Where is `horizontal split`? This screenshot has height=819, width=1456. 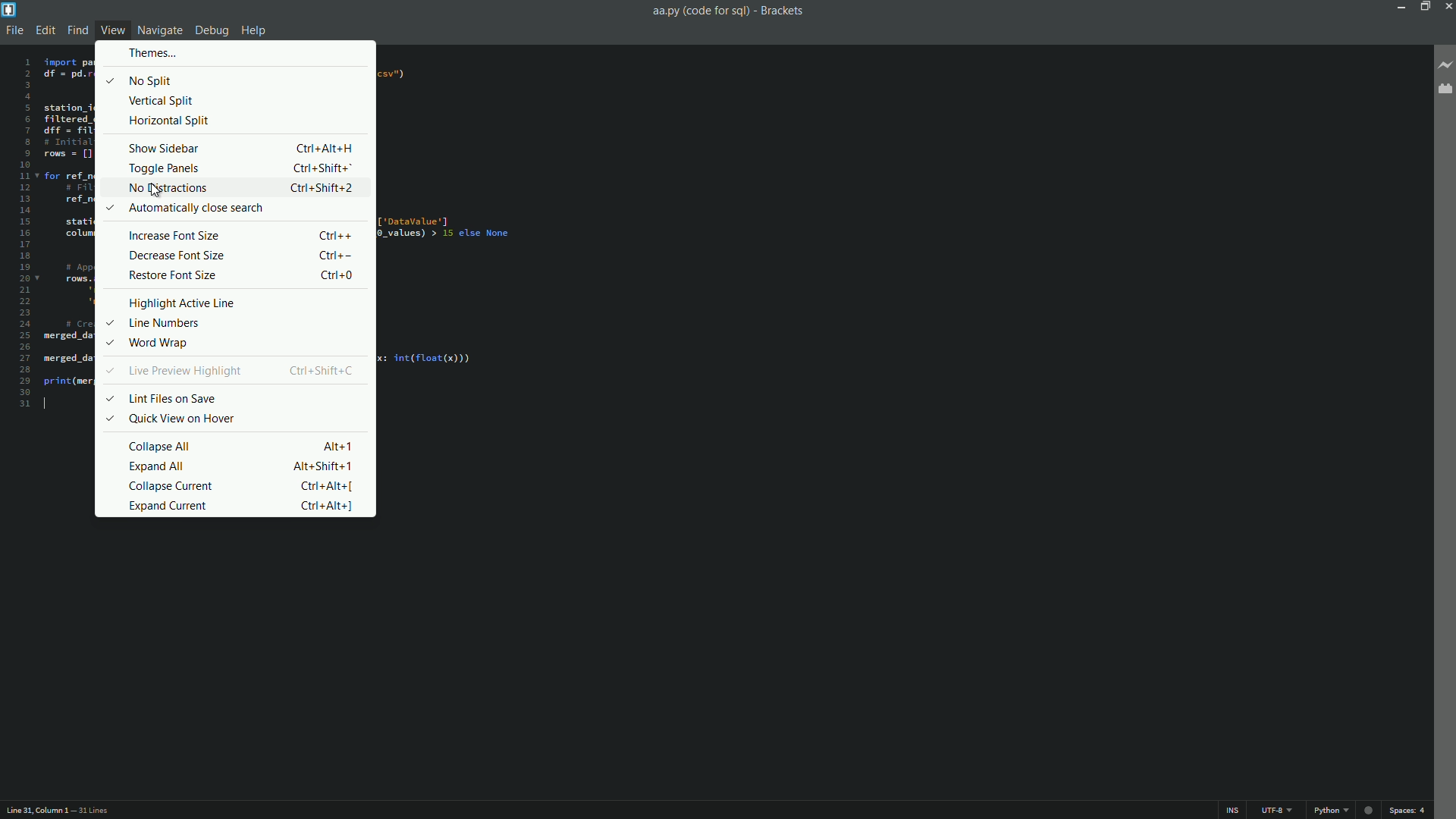 horizontal split is located at coordinates (232, 120).